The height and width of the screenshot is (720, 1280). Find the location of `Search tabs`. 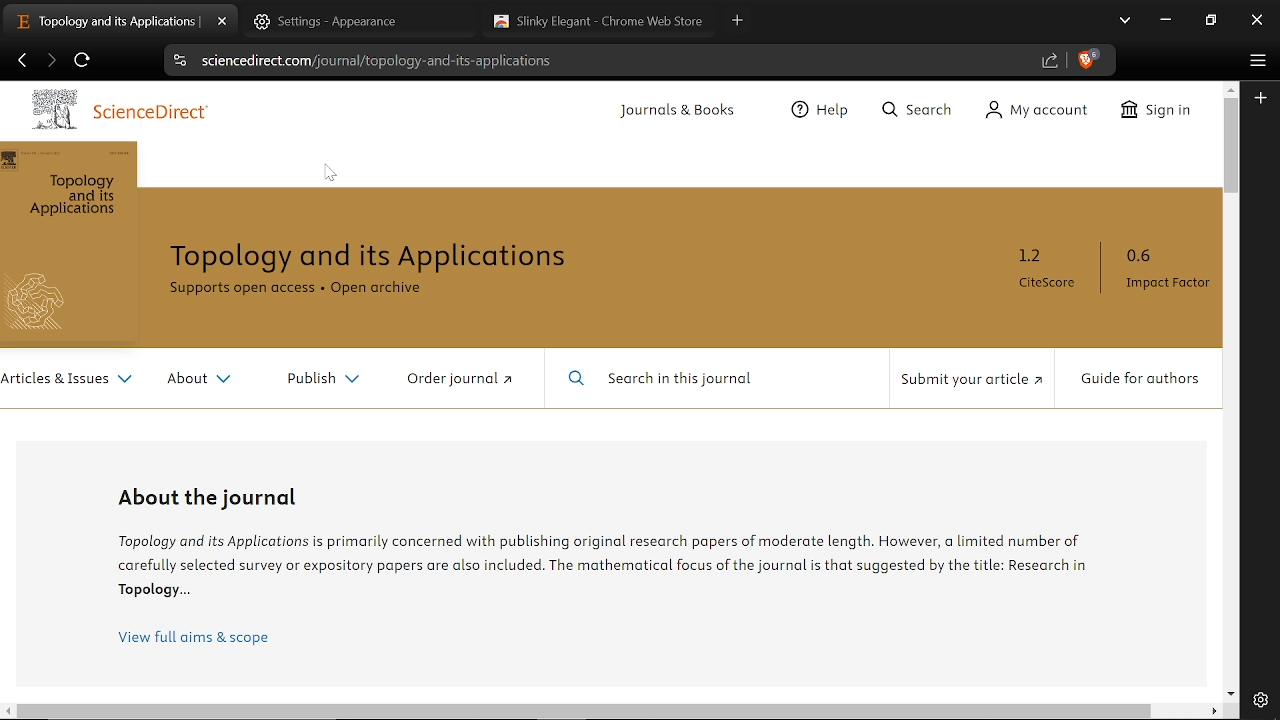

Search tabs is located at coordinates (1125, 22).